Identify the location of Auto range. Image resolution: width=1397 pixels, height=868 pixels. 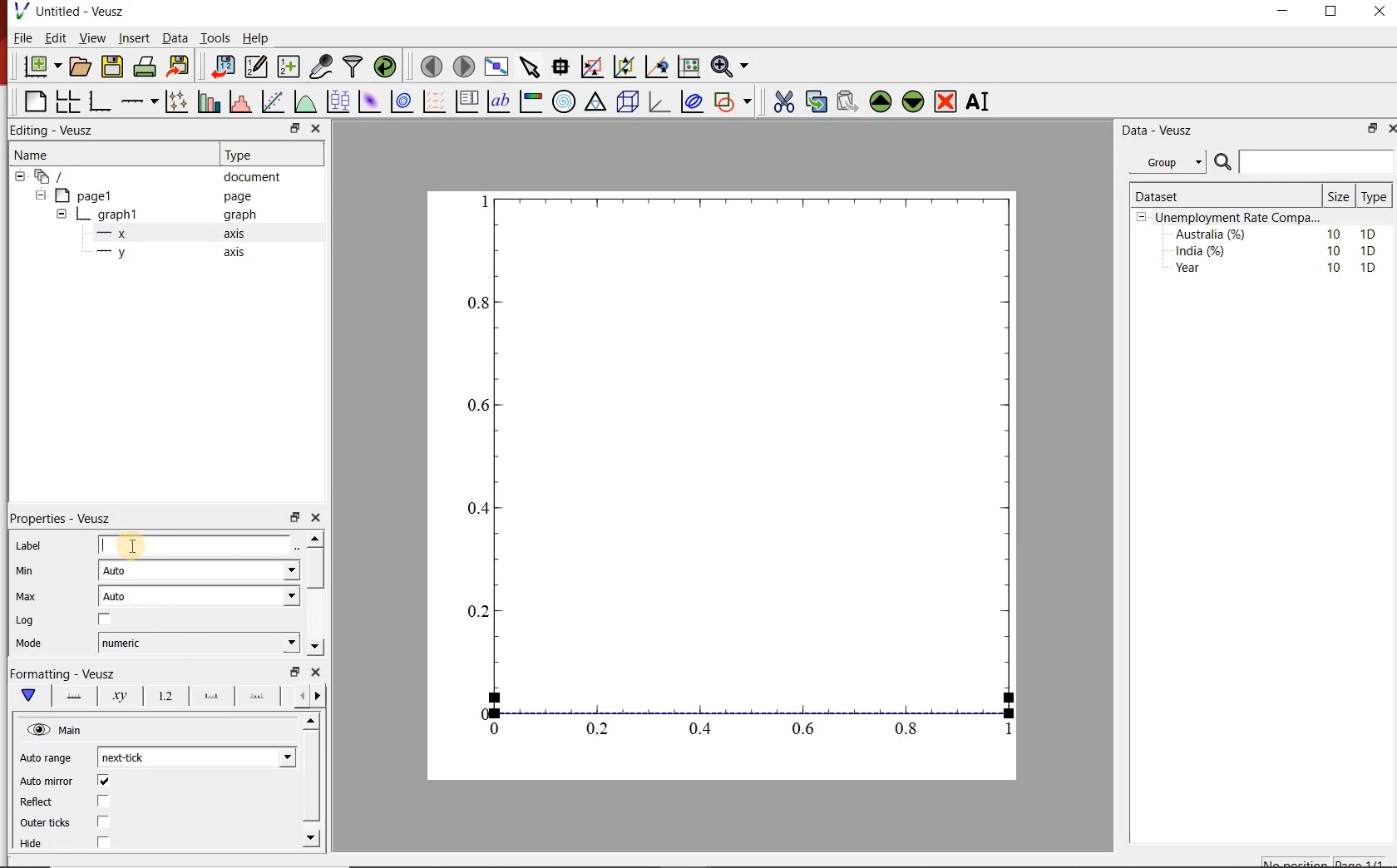
(48, 760).